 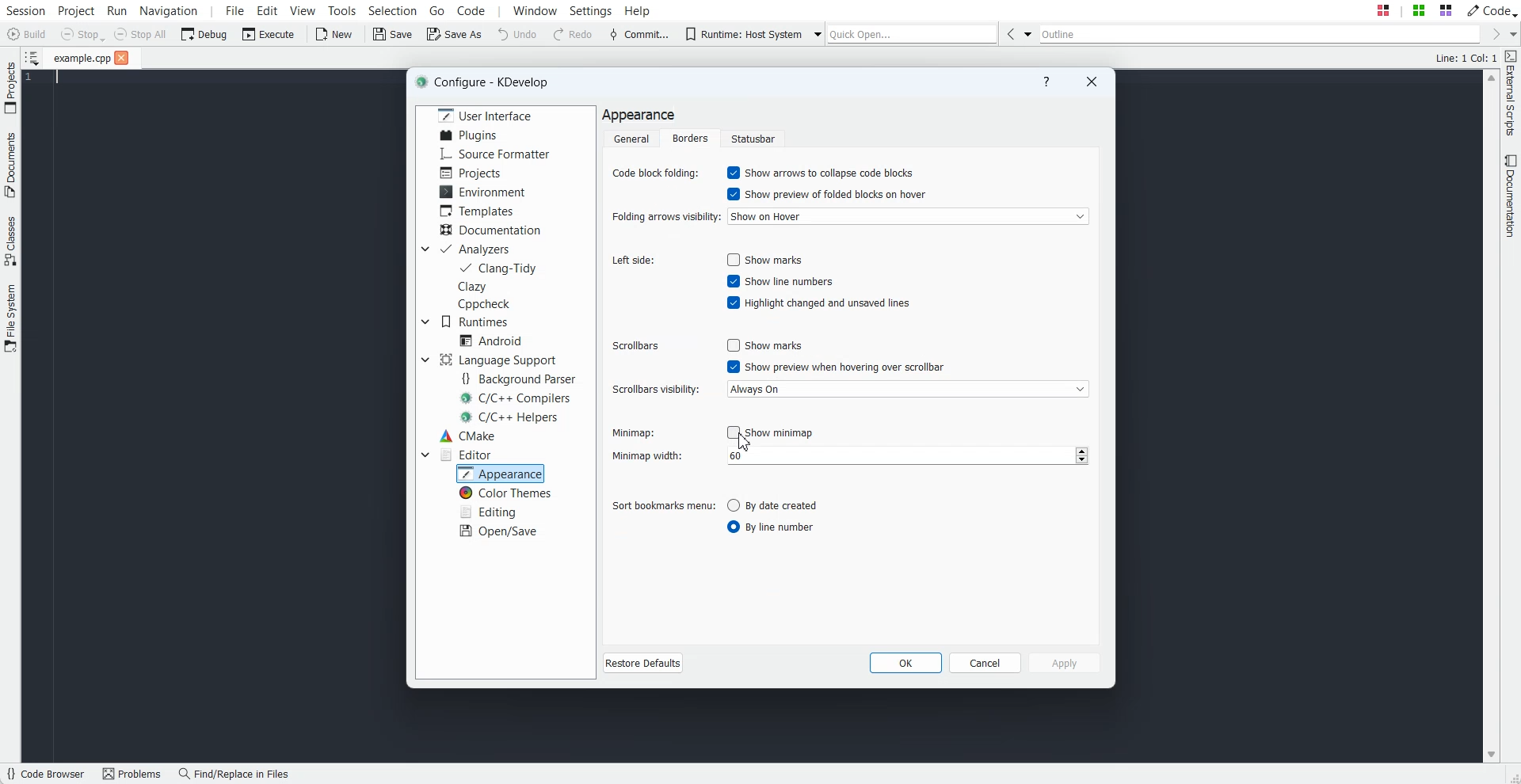 What do you see at coordinates (474, 172) in the screenshot?
I see `Projects` at bounding box center [474, 172].